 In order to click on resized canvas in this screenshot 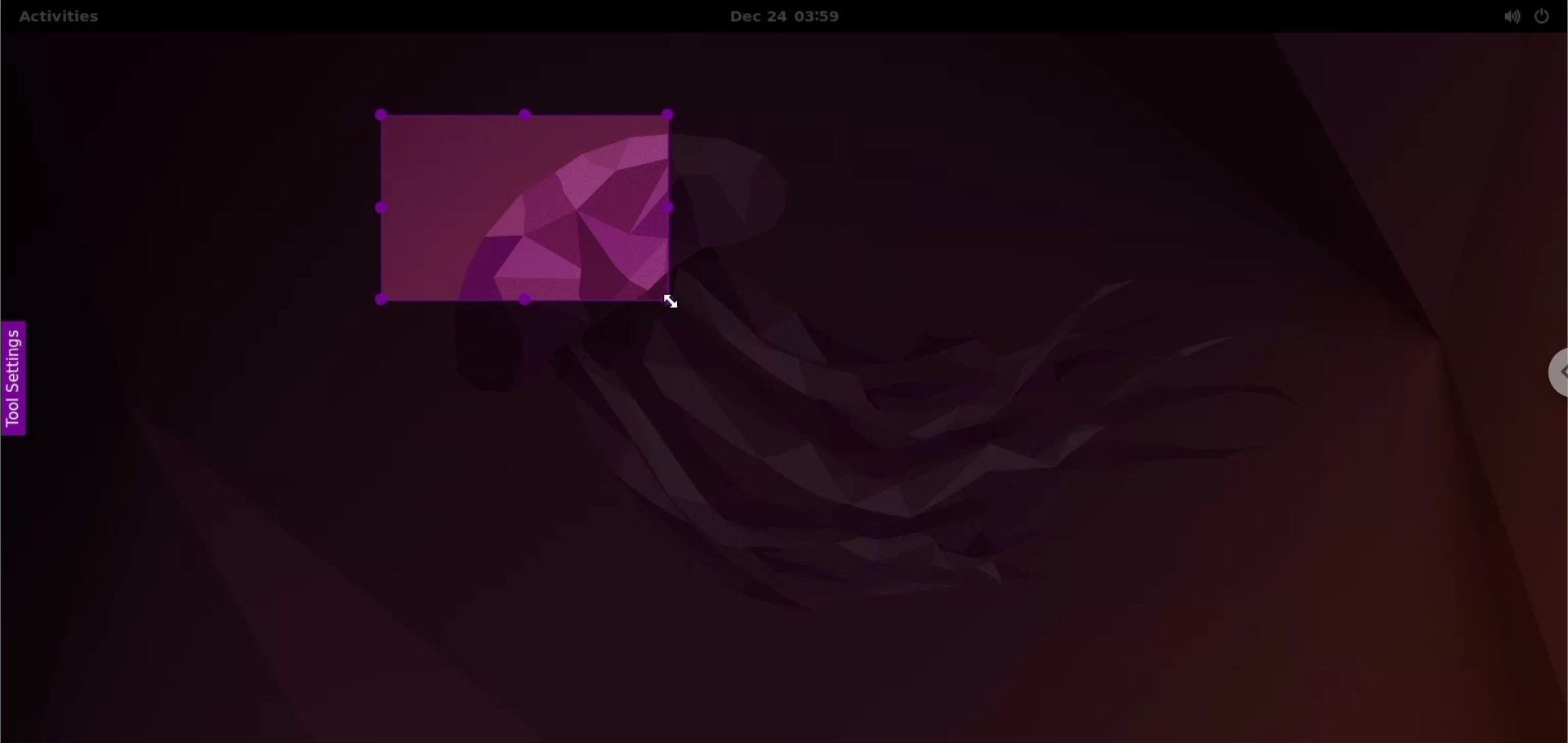, I will do `click(523, 206)`.